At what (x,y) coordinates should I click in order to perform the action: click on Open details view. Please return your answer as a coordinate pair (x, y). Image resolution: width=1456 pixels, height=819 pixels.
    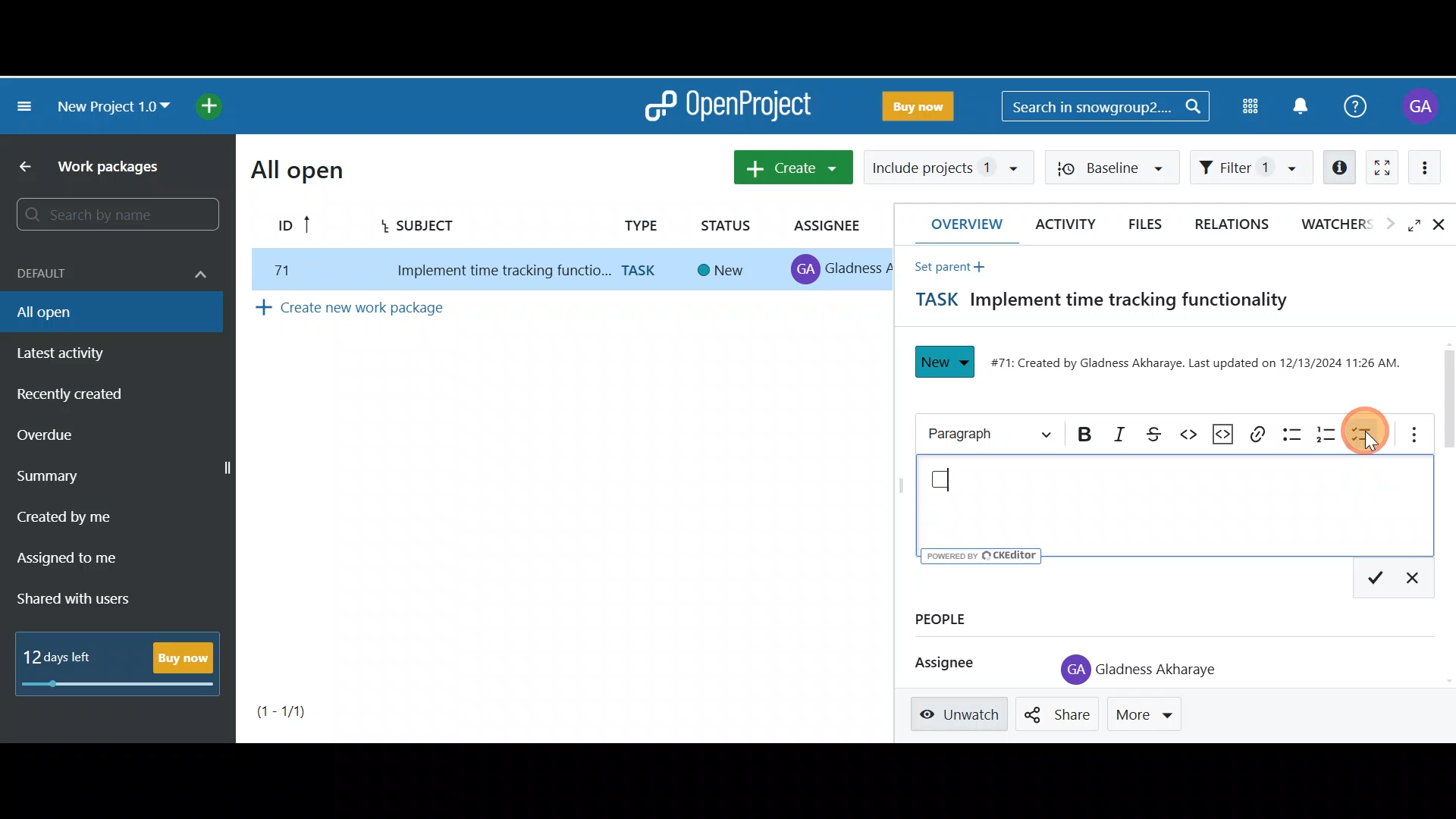
    Looking at the image, I should click on (1337, 165).